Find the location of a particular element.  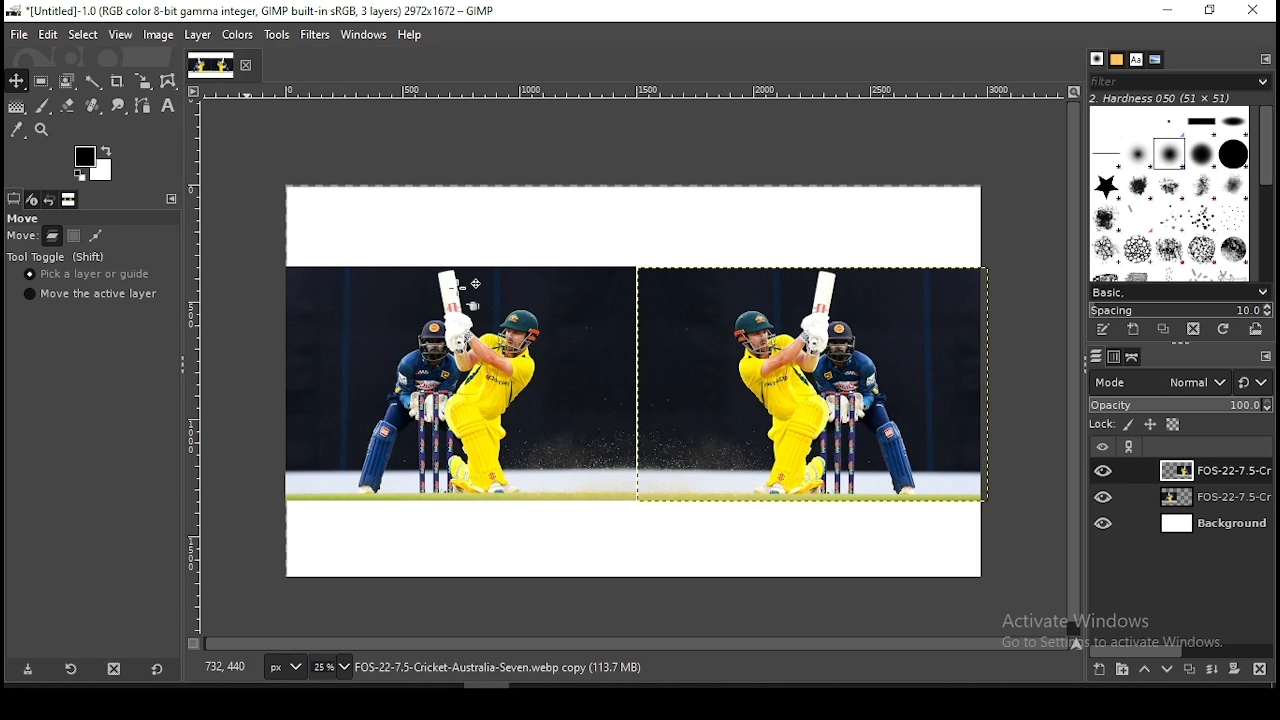

new layer  is located at coordinates (1098, 671).